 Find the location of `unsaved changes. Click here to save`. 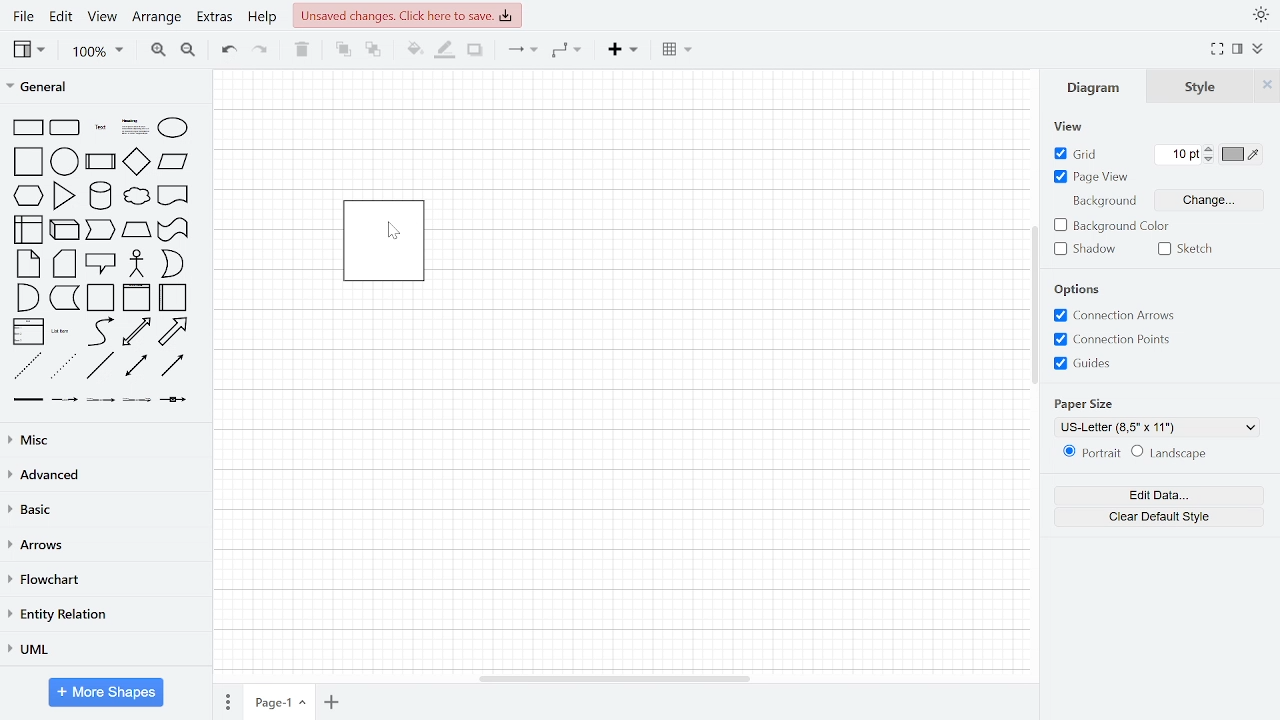

unsaved changes. Click here to save is located at coordinates (410, 15).